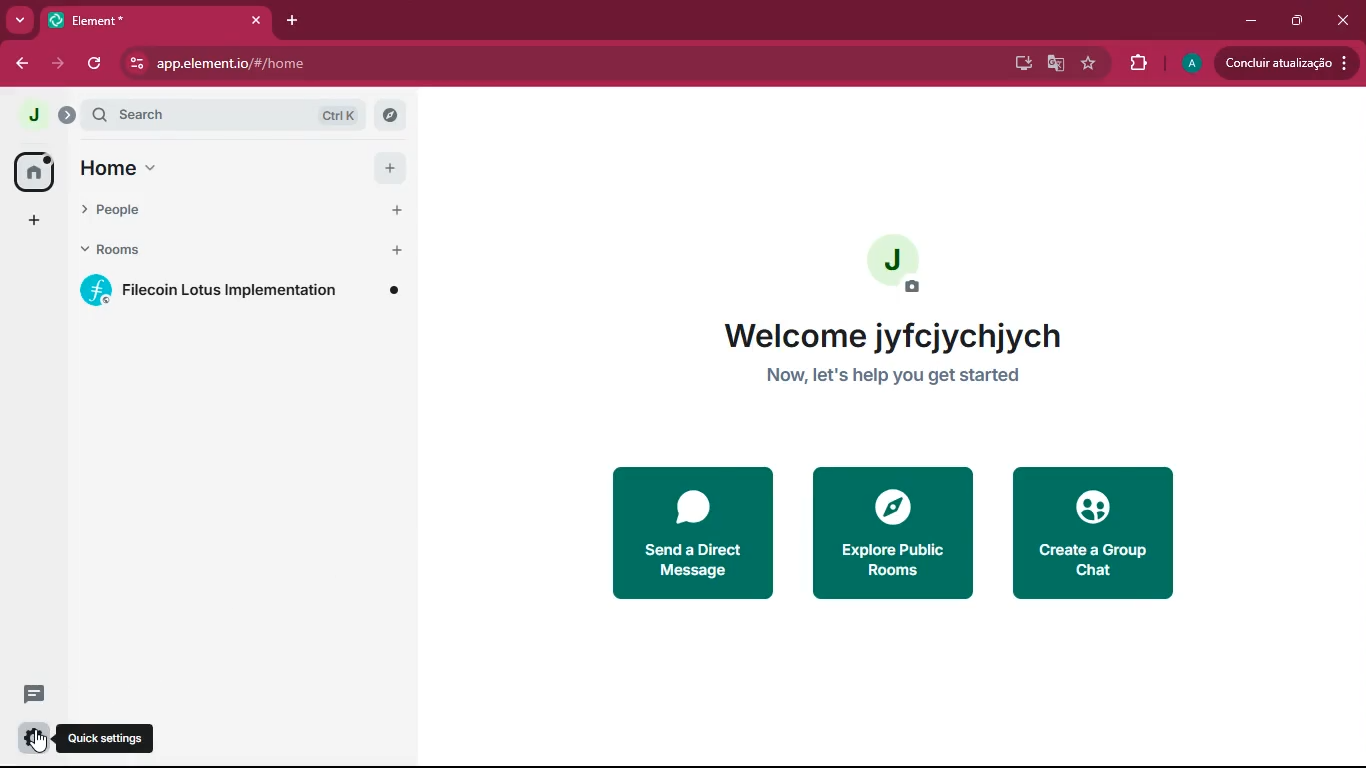  Describe the element at coordinates (15, 64) in the screenshot. I see `back` at that location.